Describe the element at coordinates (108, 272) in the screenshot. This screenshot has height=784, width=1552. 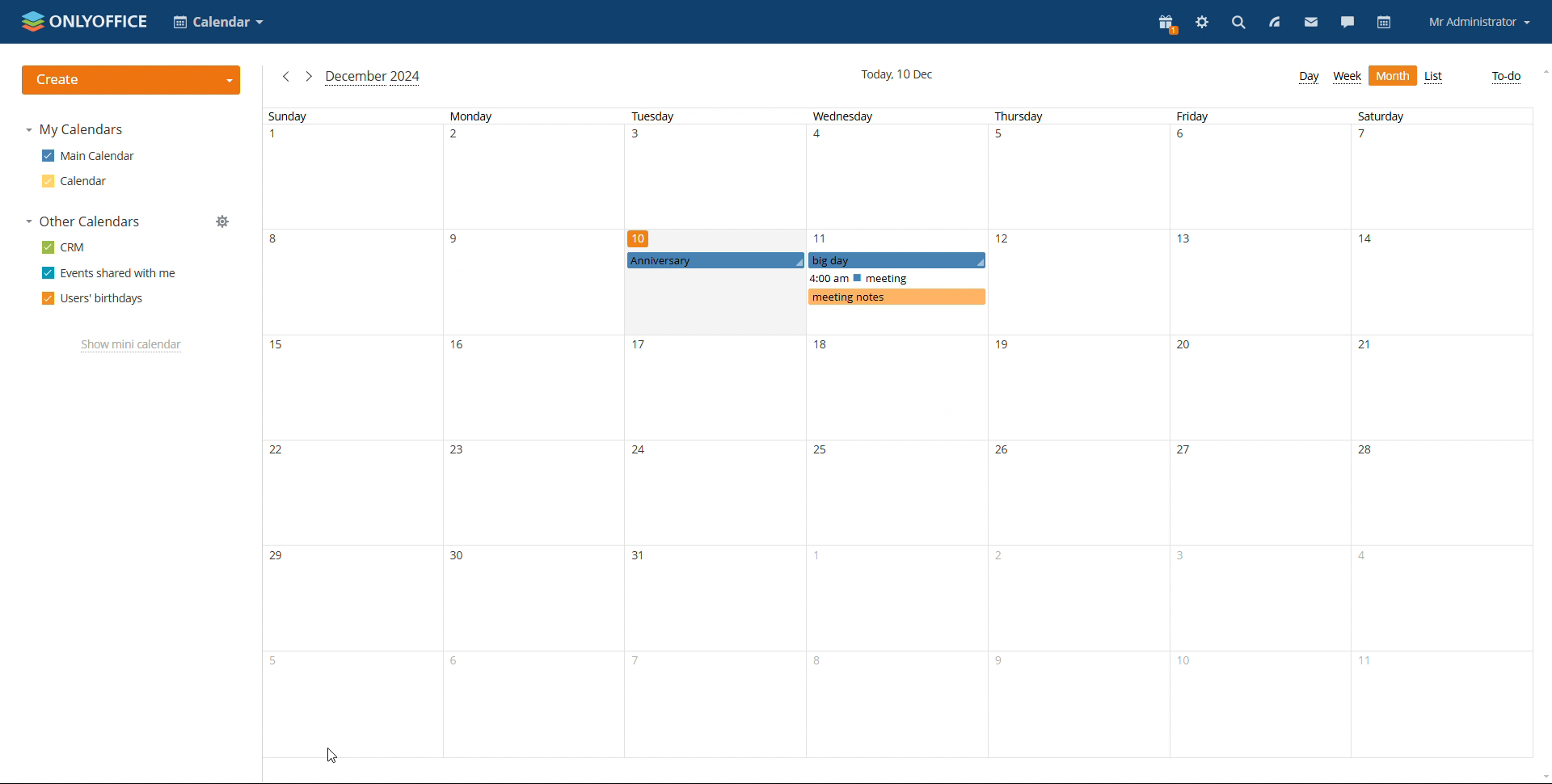
I see `events shared with me` at that location.